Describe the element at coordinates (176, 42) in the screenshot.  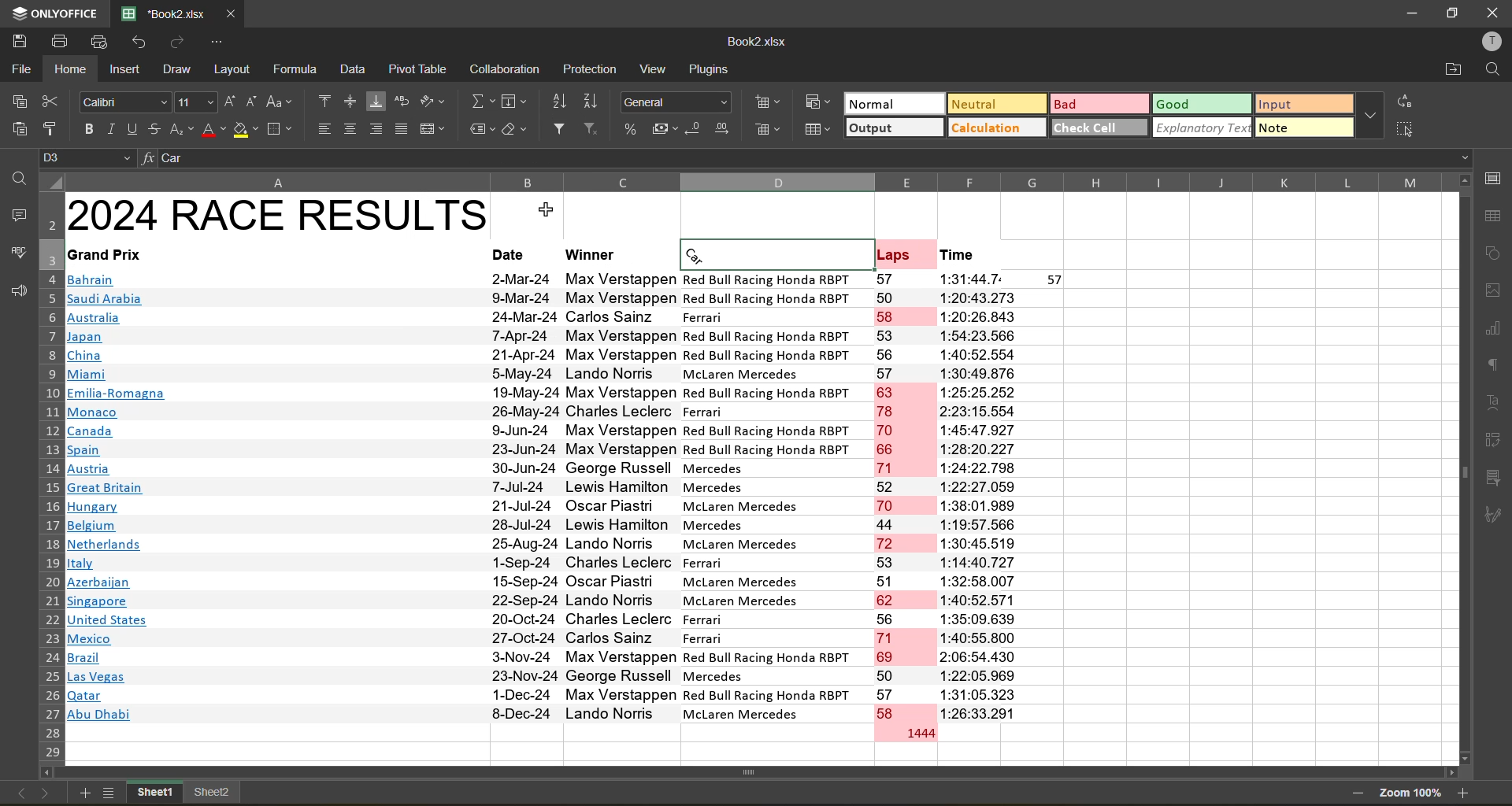
I see `redo` at that location.